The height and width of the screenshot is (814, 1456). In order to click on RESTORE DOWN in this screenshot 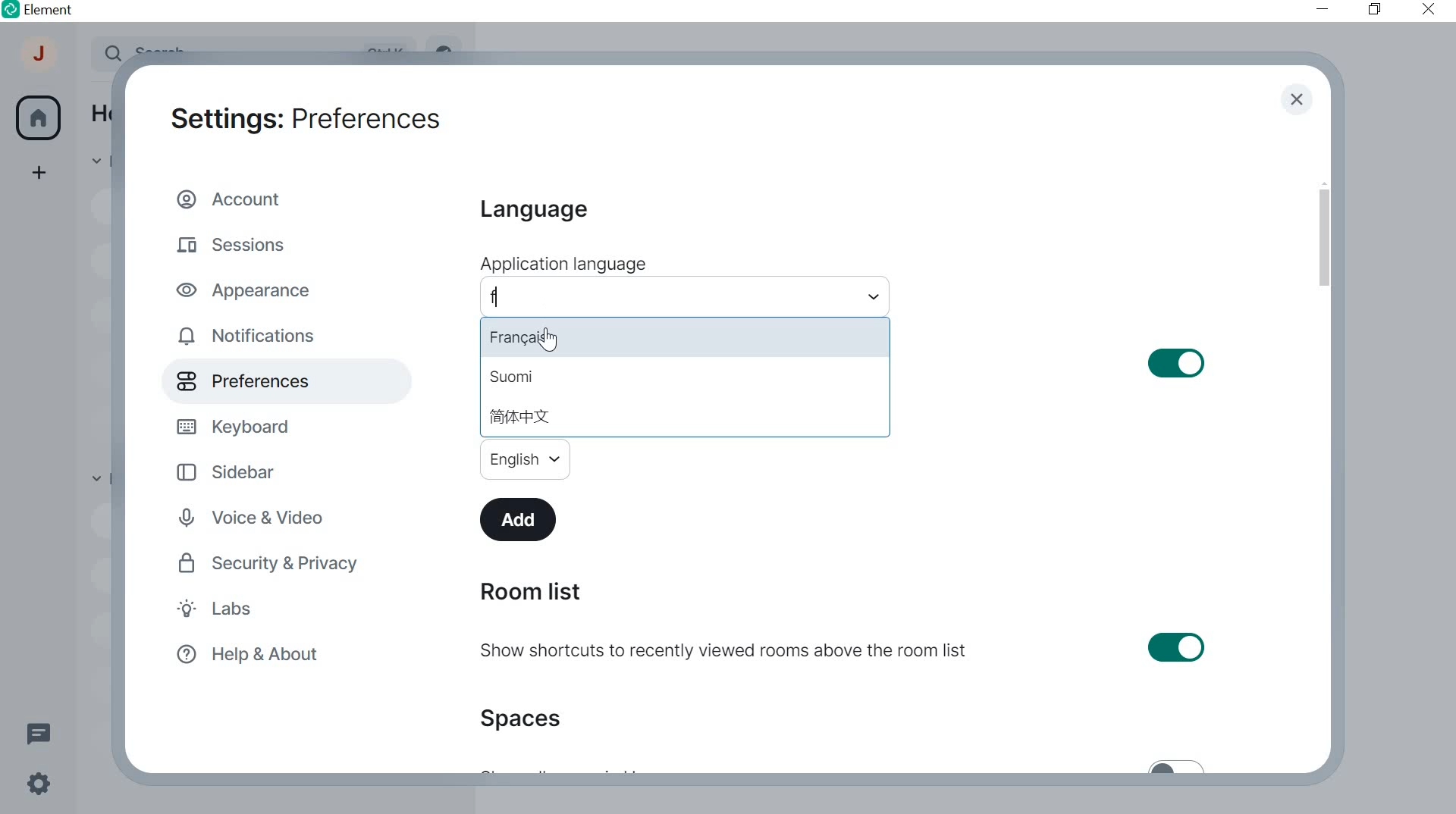, I will do `click(1374, 10)`.